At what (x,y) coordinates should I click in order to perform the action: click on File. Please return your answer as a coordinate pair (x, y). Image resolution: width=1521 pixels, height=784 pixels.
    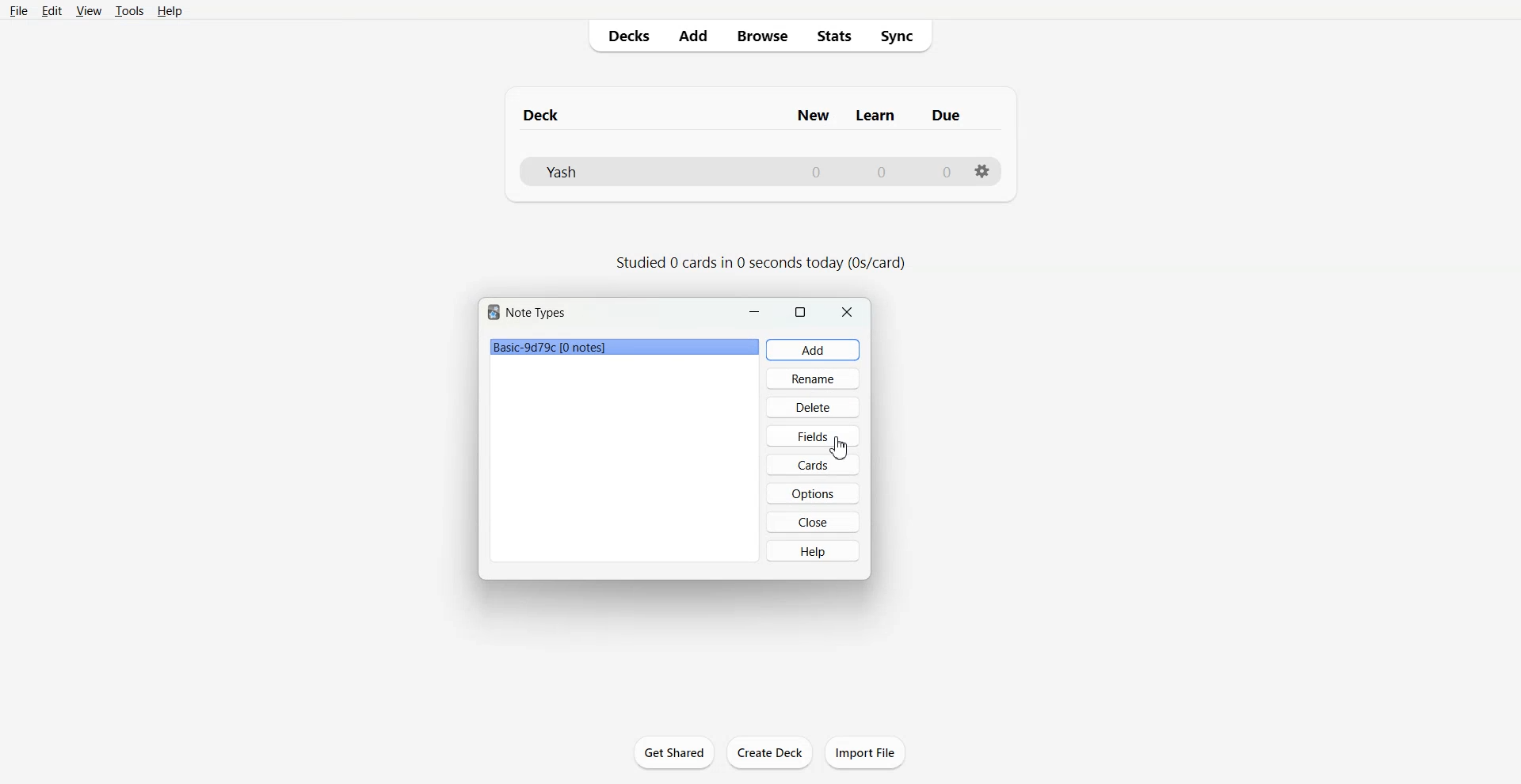
    Looking at the image, I should click on (17, 10).